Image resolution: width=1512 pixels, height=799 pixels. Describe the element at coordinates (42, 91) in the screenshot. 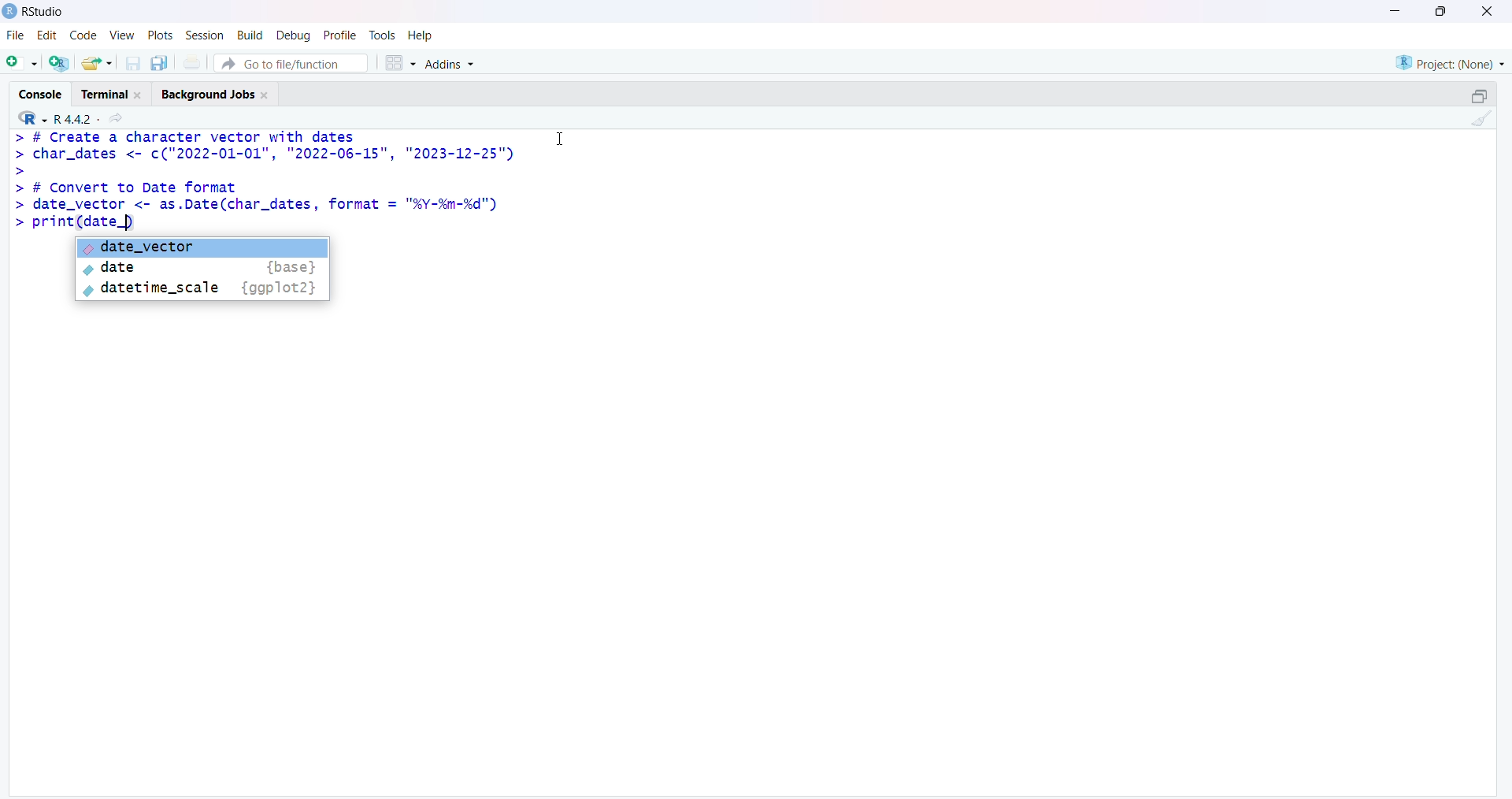

I see `Console` at that location.